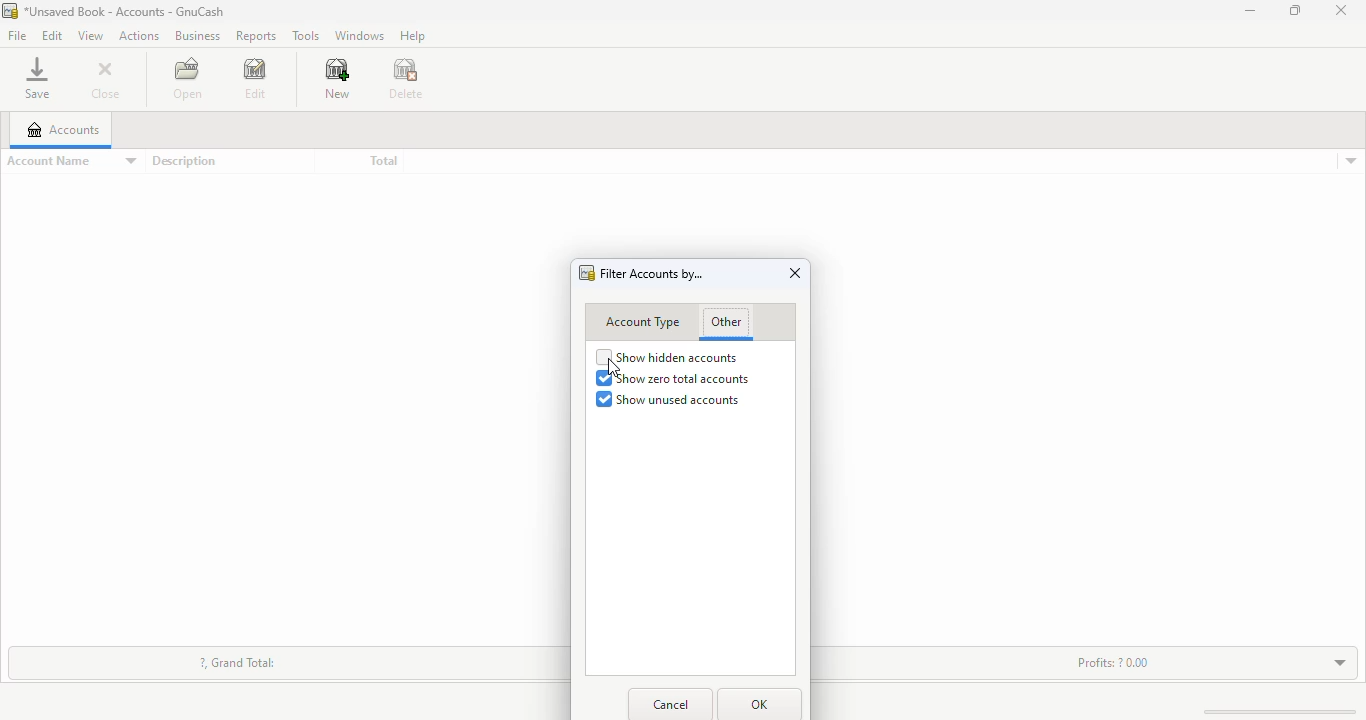  I want to click on delete, so click(406, 79).